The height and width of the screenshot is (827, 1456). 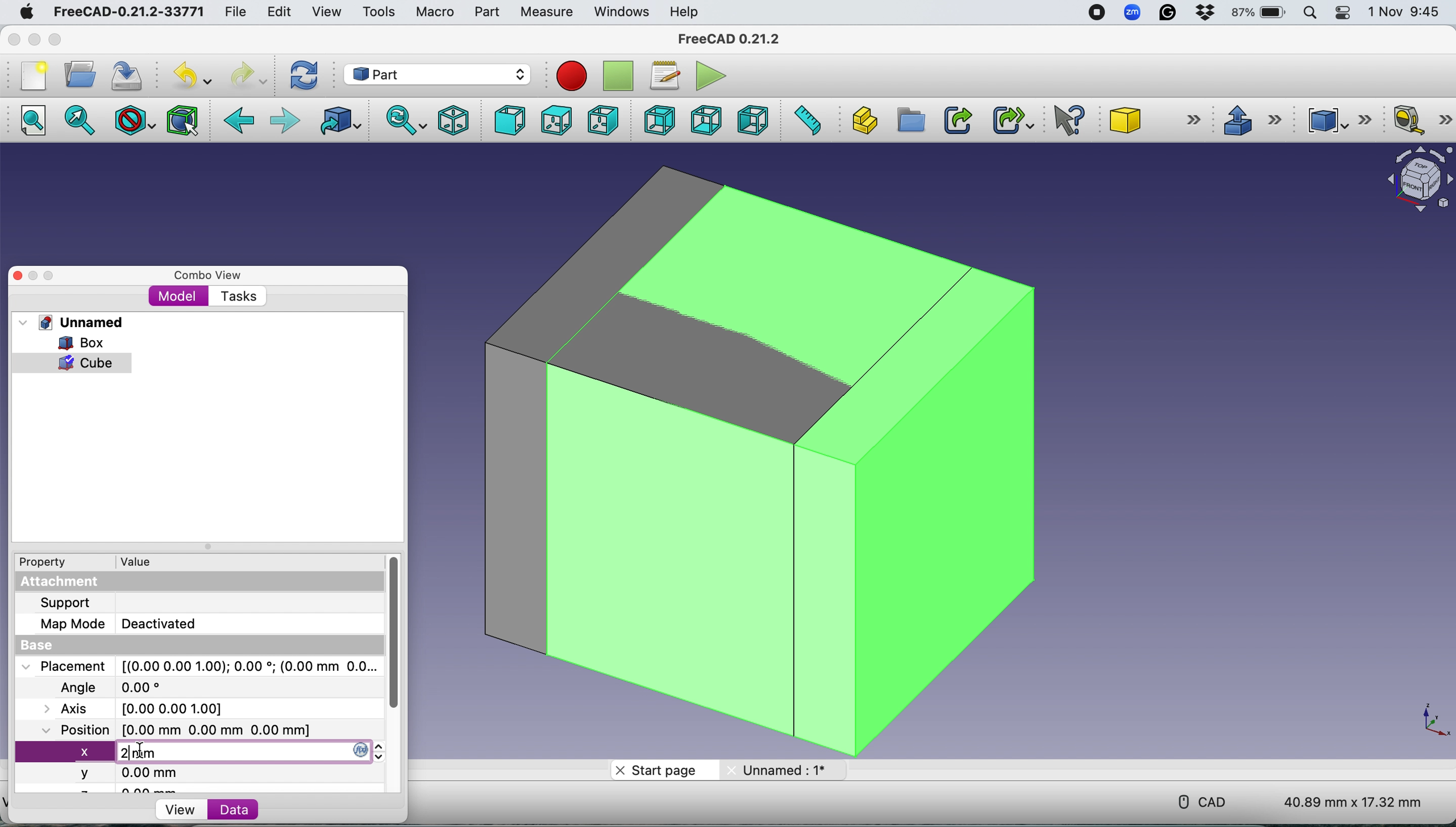 I want to click on Part, so click(x=486, y=12).